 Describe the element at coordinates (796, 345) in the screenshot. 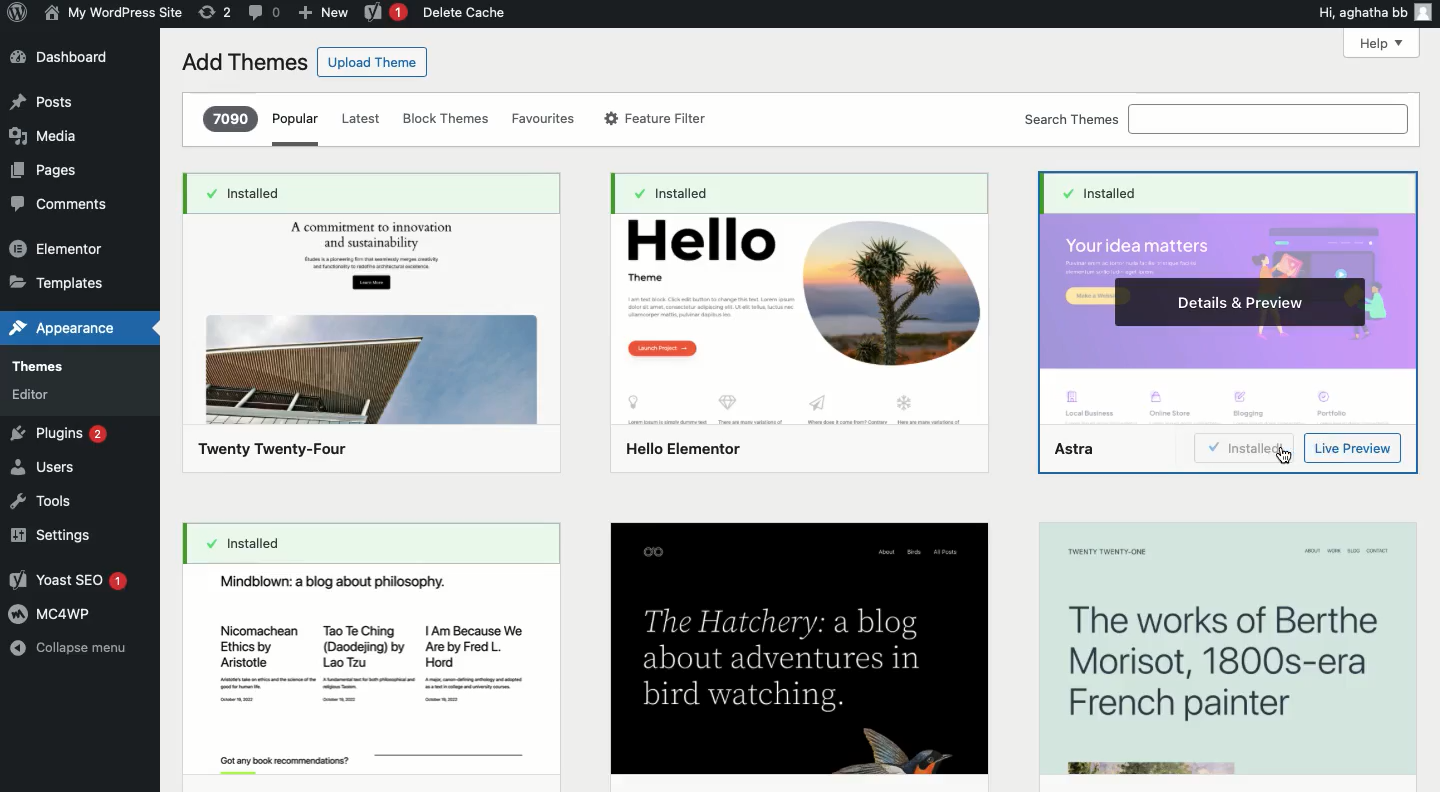

I see `Hello elementor Theme` at that location.